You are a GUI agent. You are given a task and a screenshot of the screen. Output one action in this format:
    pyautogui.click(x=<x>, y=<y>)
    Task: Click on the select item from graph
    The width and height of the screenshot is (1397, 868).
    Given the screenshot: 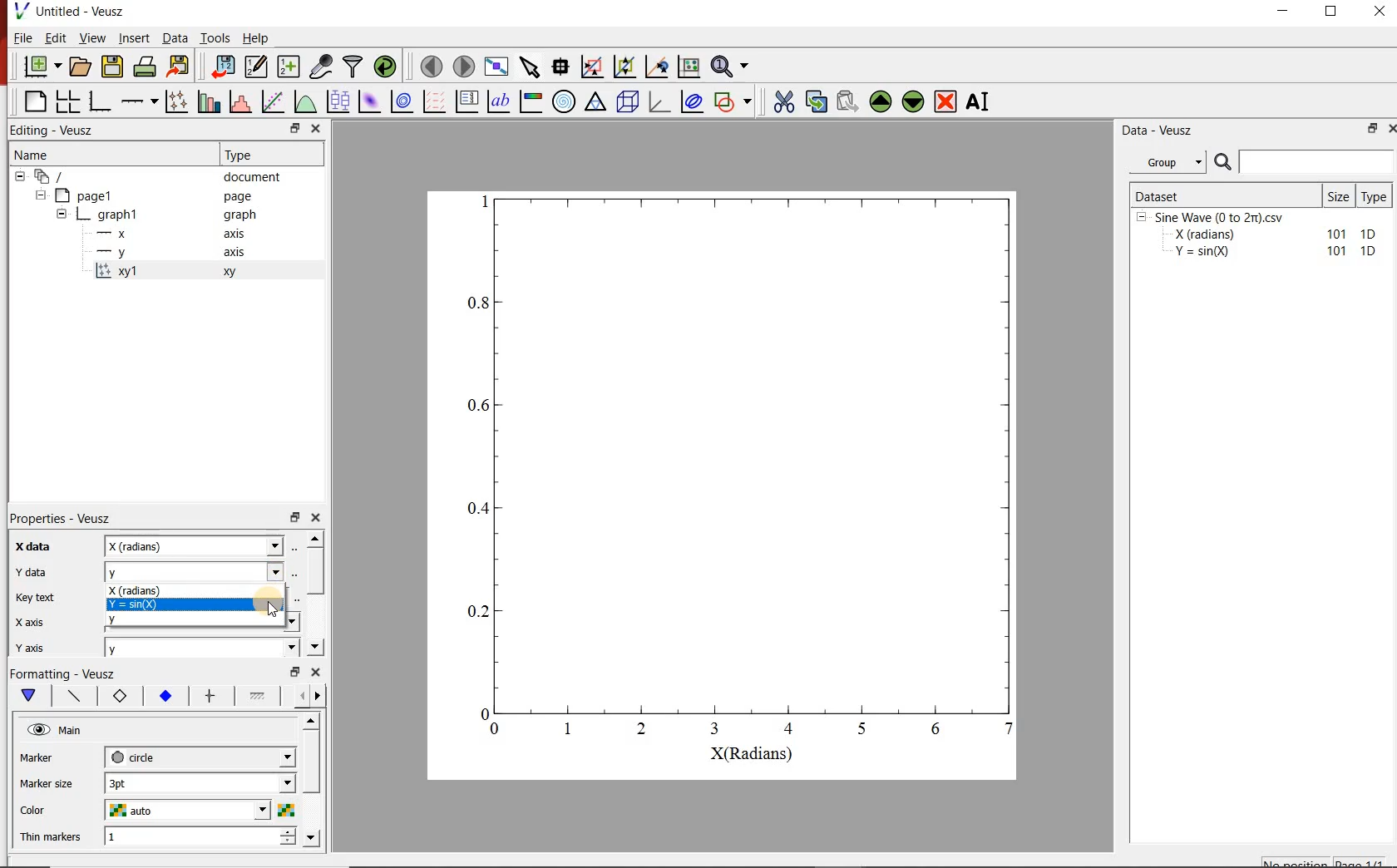 What is the action you would take?
    pyautogui.click(x=531, y=65)
    